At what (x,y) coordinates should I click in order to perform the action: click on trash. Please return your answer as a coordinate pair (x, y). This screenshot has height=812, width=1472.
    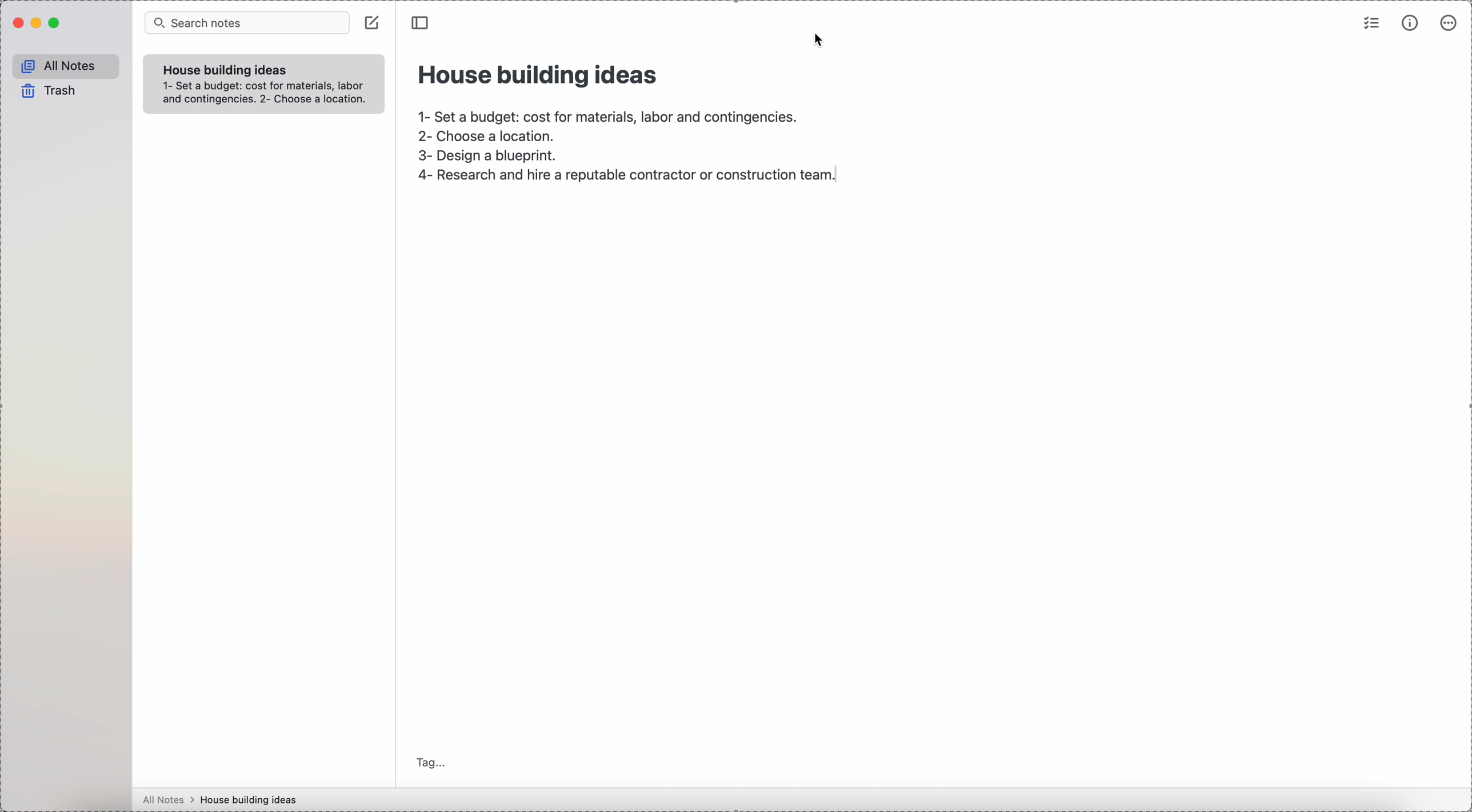
    Looking at the image, I should click on (47, 91).